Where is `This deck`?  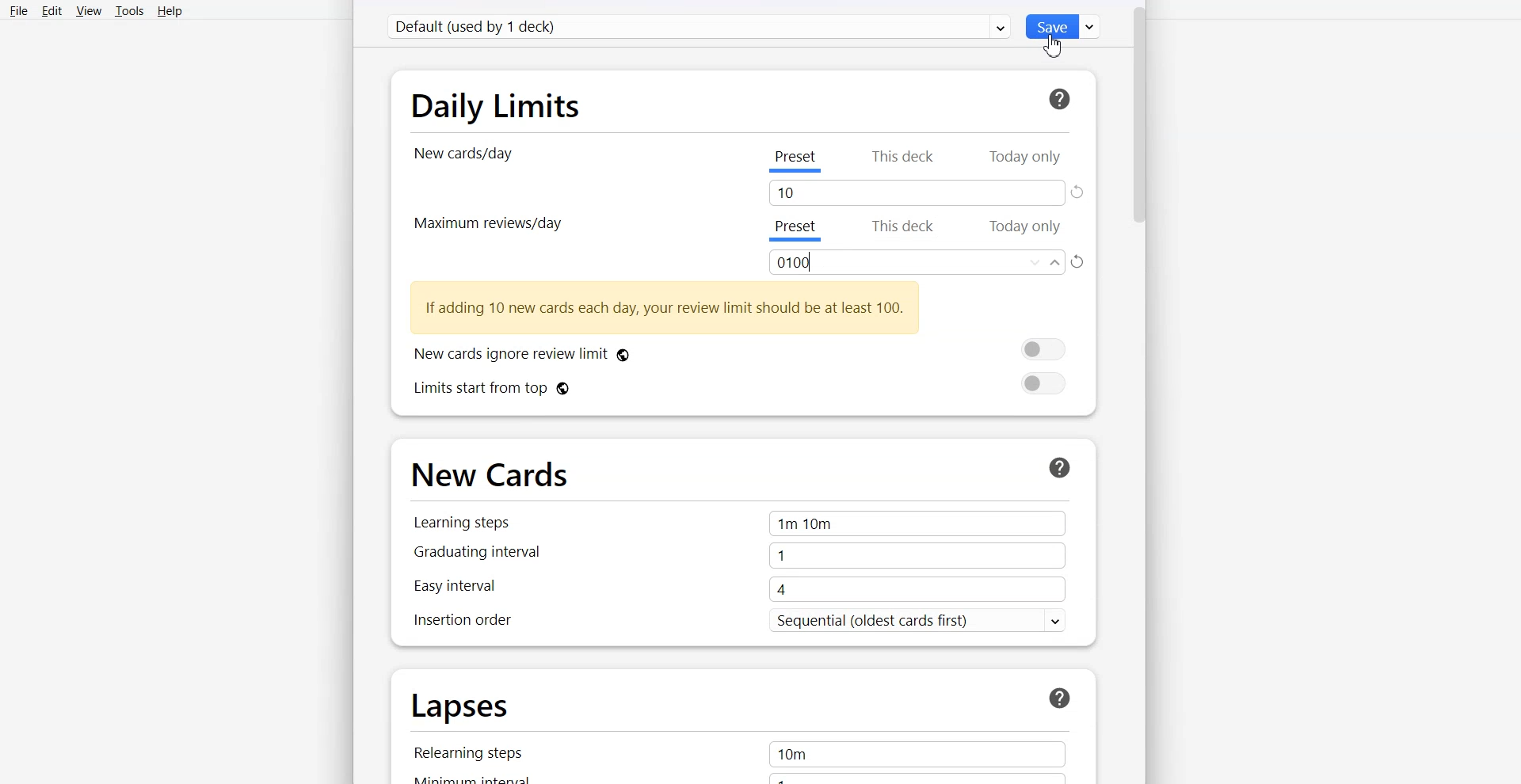
This deck is located at coordinates (905, 160).